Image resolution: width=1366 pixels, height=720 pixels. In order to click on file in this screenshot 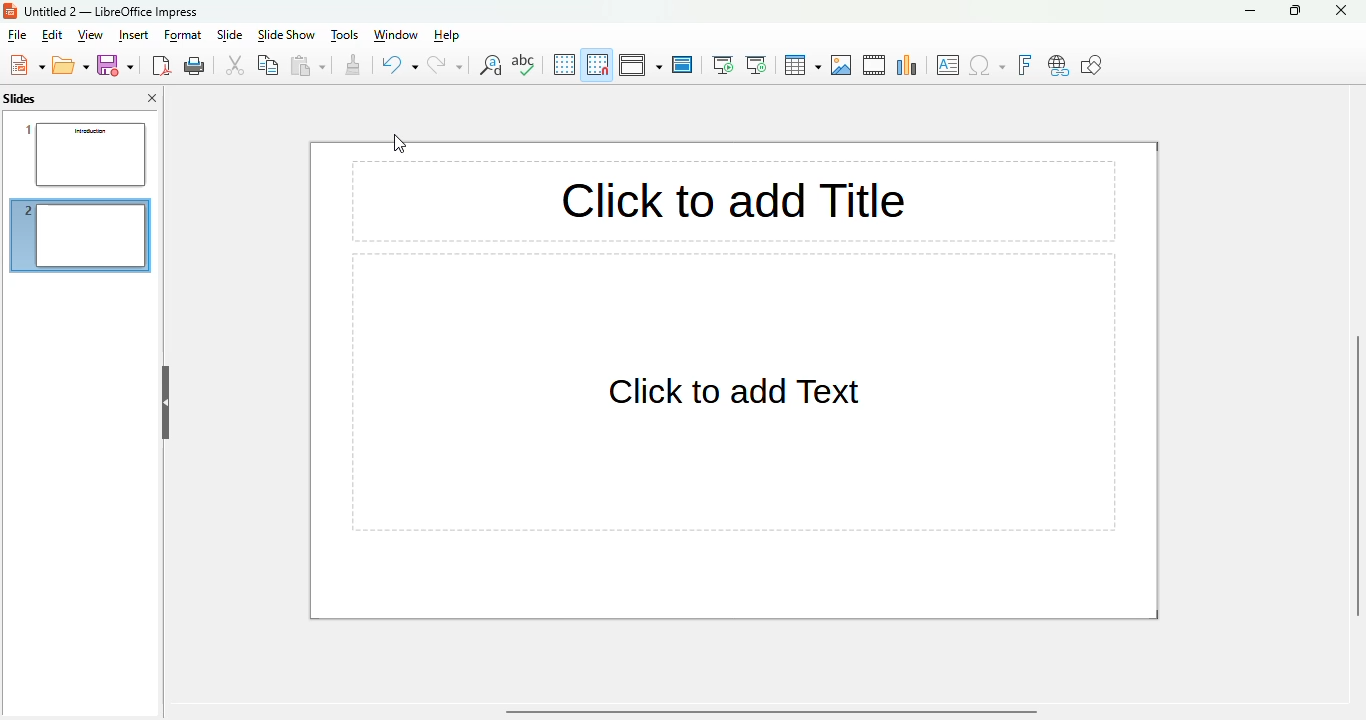, I will do `click(16, 35)`.